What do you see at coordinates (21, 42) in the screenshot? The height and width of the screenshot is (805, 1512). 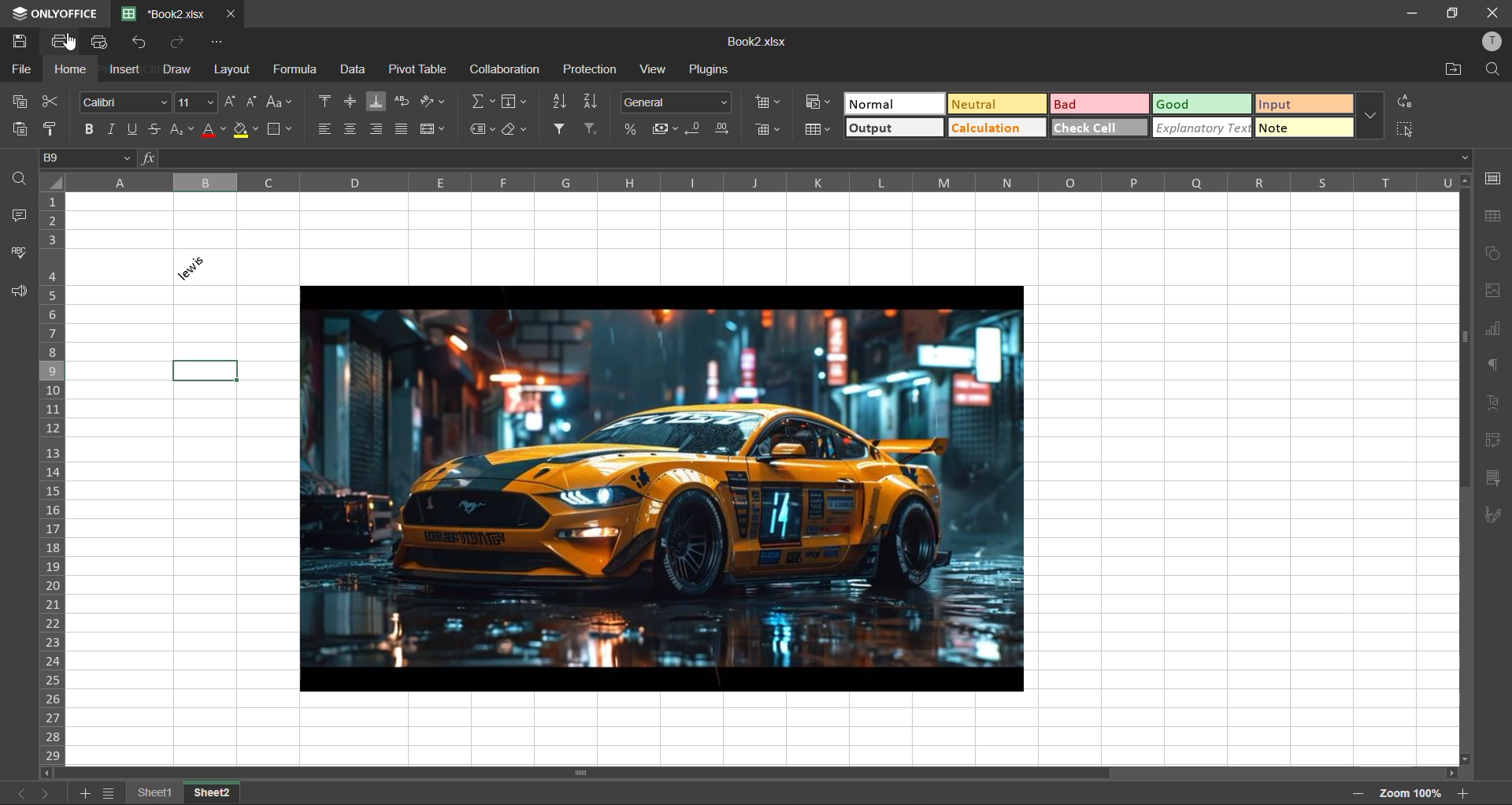 I see `save` at bounding box center [21, 42].